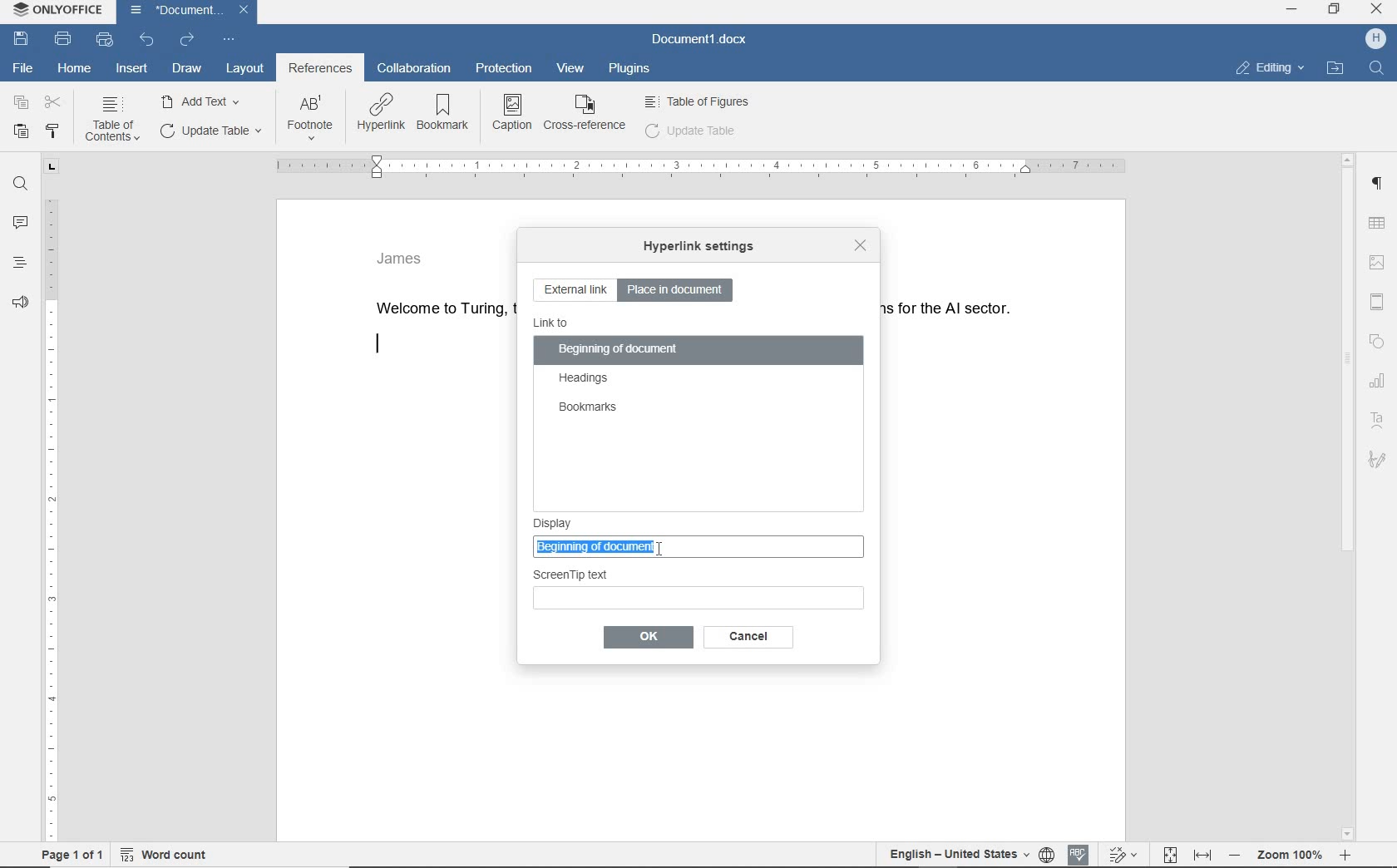  Describe the element at coordinates (320, 70) in the screenshot. I see `references` at that location.